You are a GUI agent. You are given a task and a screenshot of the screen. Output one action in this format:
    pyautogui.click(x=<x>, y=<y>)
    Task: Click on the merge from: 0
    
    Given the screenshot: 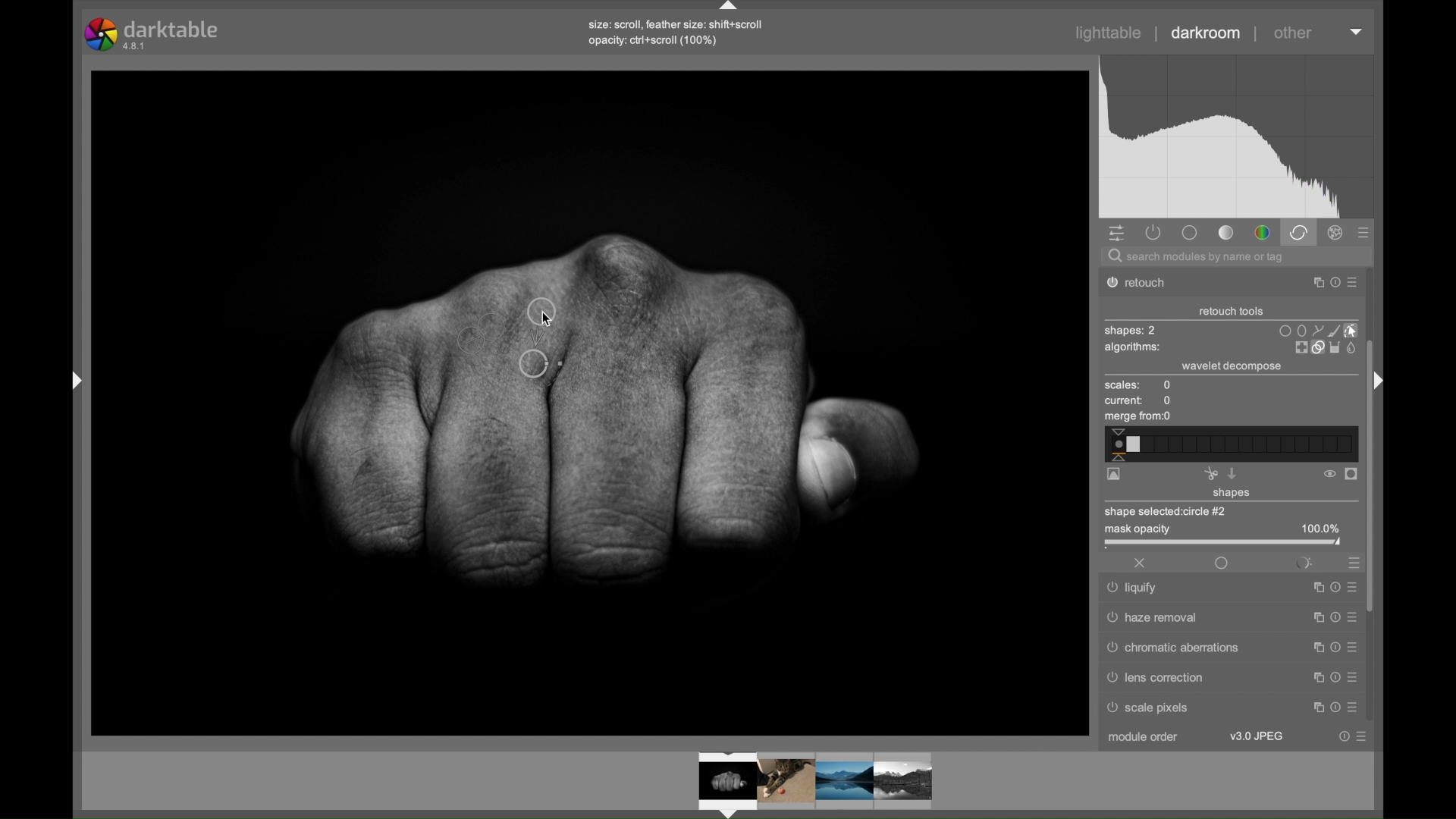 What is the action you would take?
    pyautogui.click(x=1138, y=418)
    